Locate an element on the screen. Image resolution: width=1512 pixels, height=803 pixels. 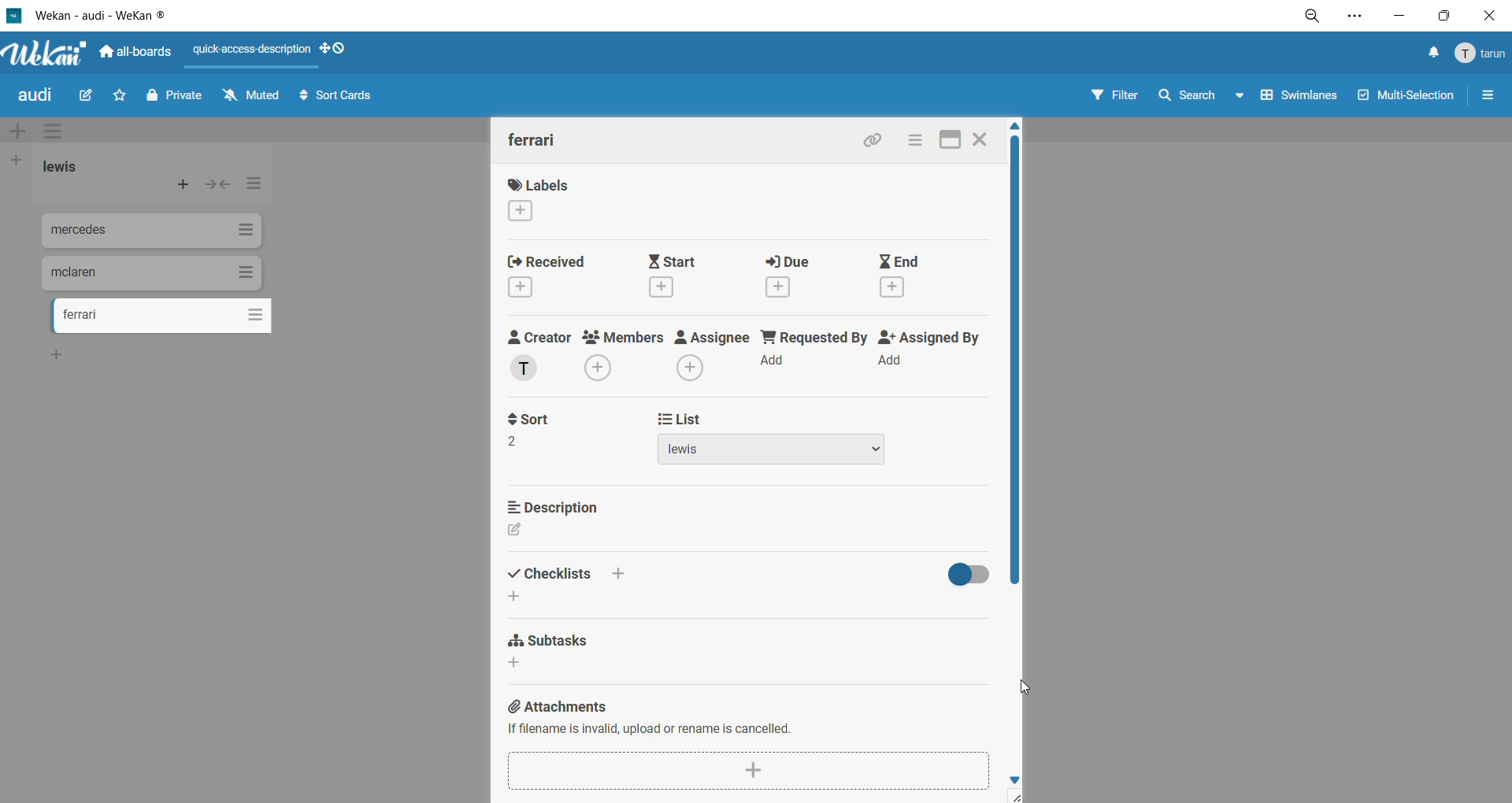
maximize is located at coordinates (950, 141).